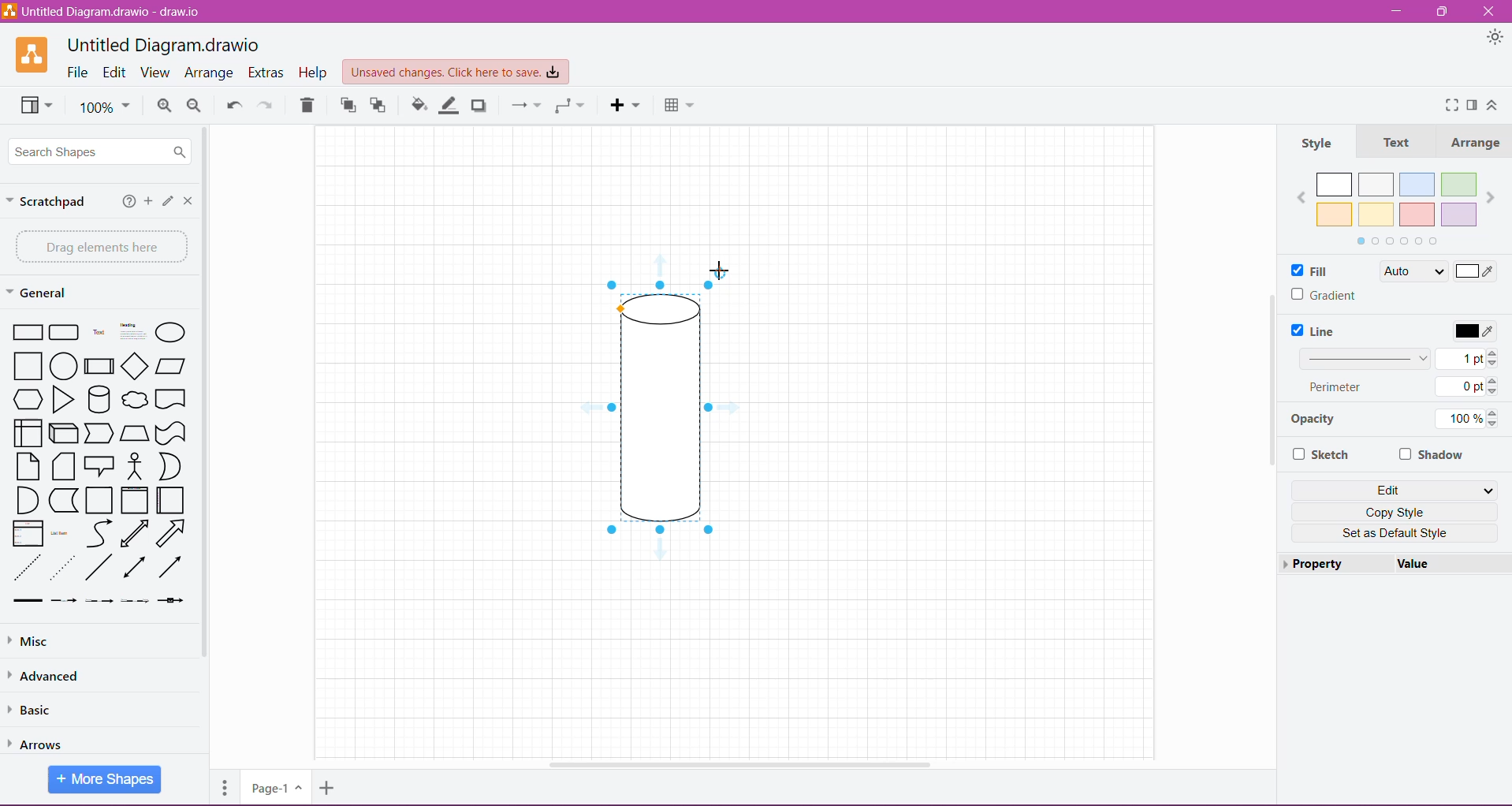 The height and width of the screenshot is (806, 1512). Describe the element at coordinates (1398, 388) in the screenshot. I see `Set Line Perimeter` at that location.